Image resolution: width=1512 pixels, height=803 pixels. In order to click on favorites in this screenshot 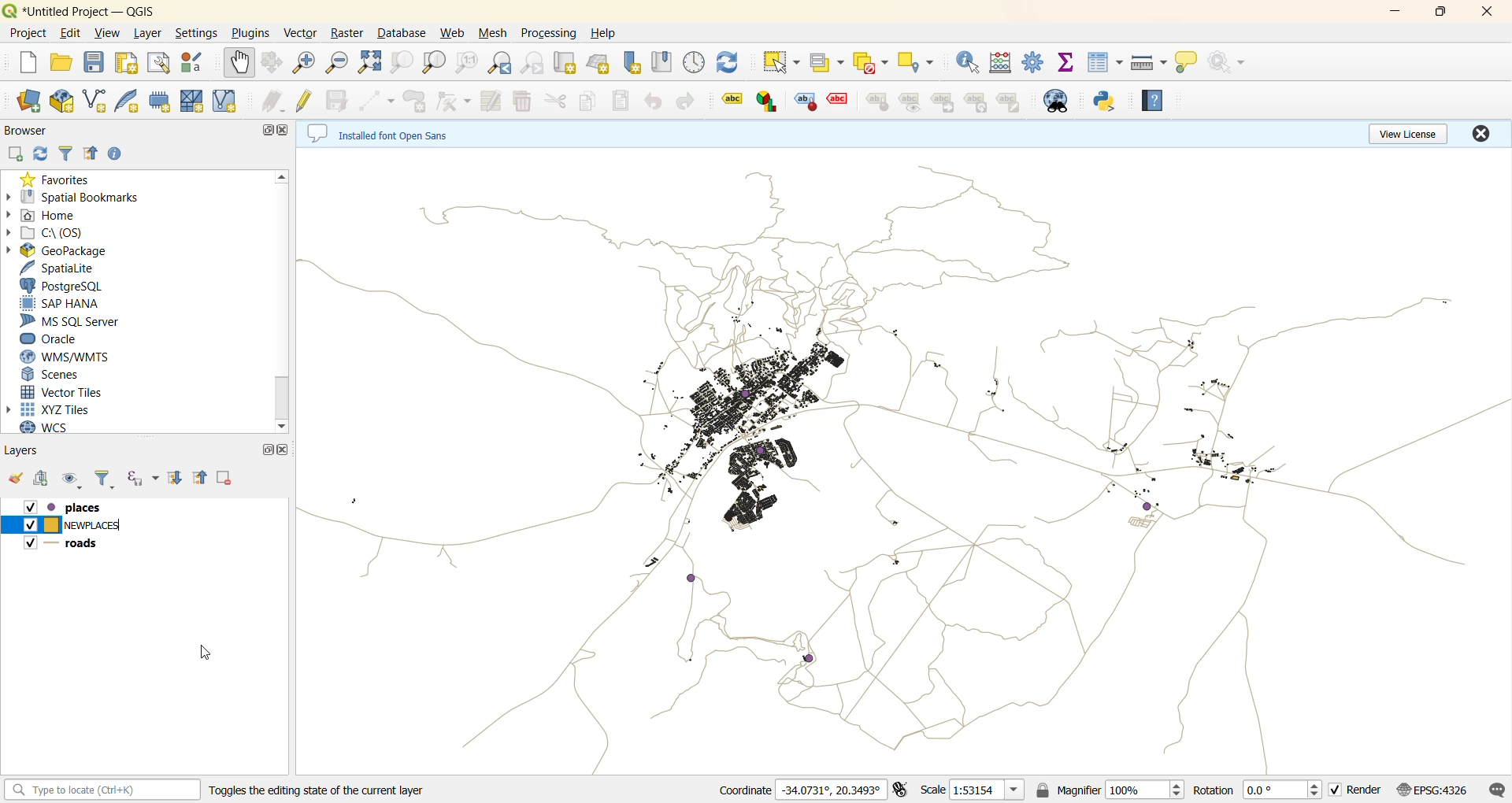, I will do `click(57, 179)`.